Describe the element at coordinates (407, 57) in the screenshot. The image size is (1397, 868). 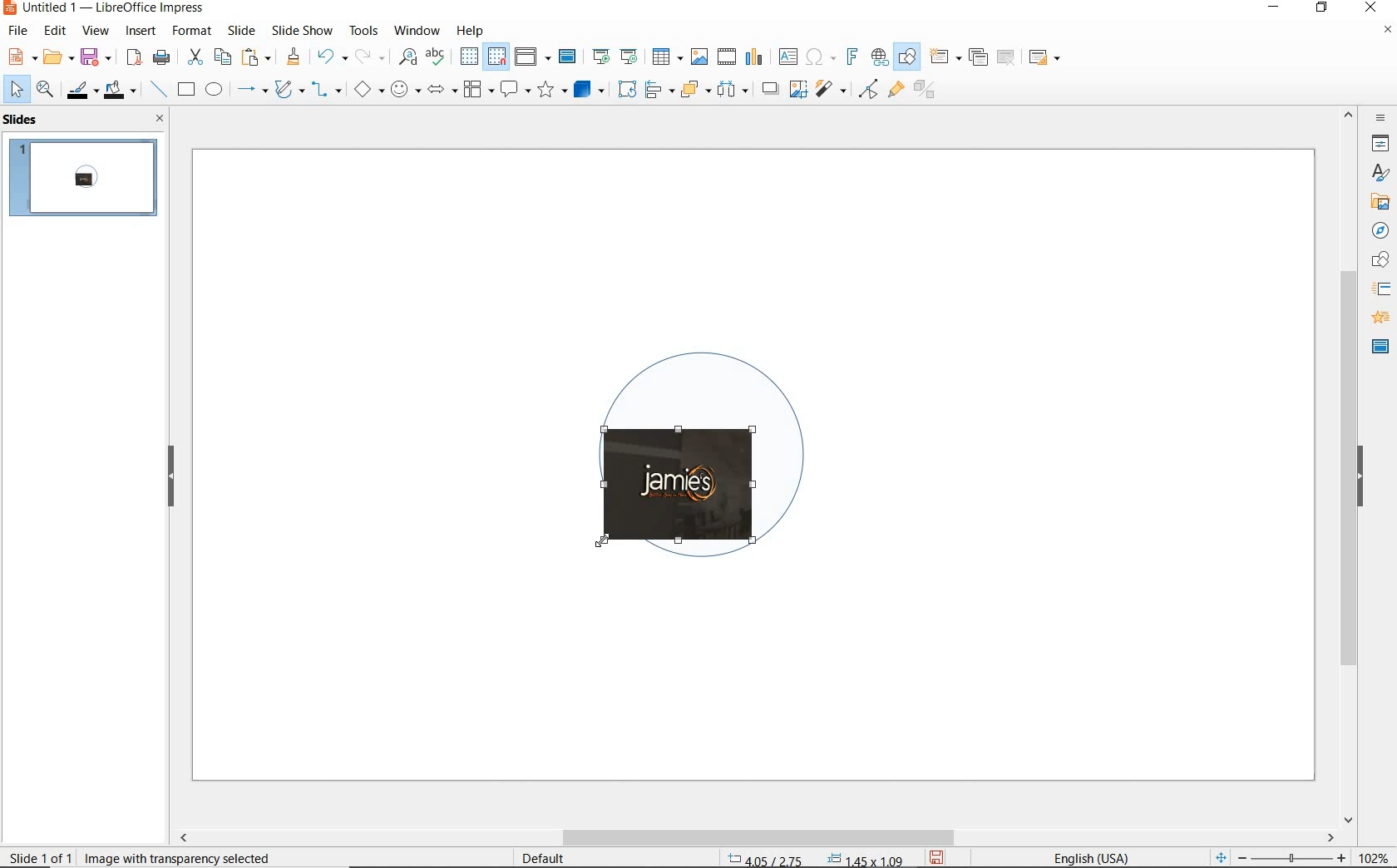
I see `find and replace` at that location.